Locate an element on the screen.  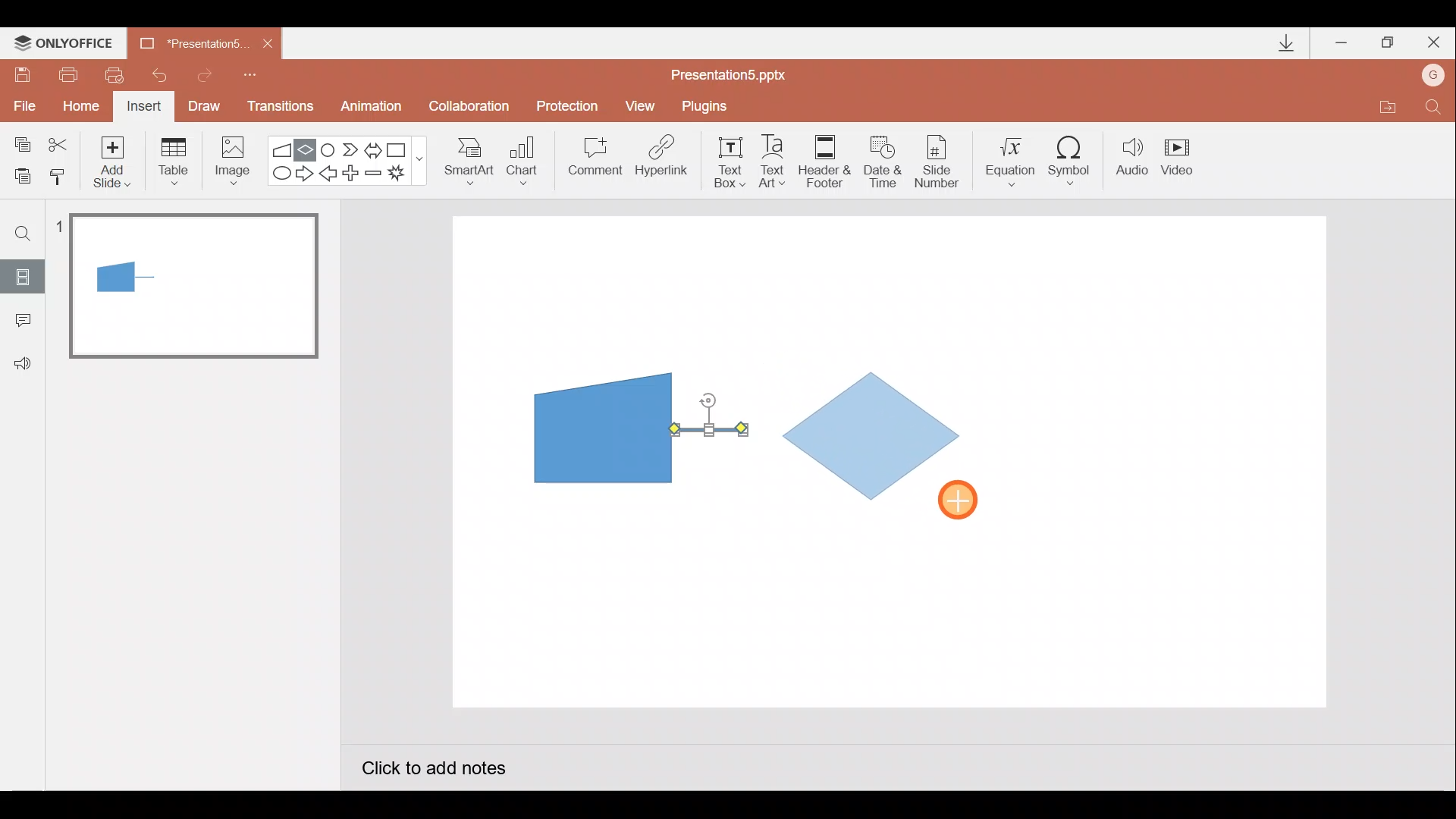
Header & footer is located at coordinates (824, 160).